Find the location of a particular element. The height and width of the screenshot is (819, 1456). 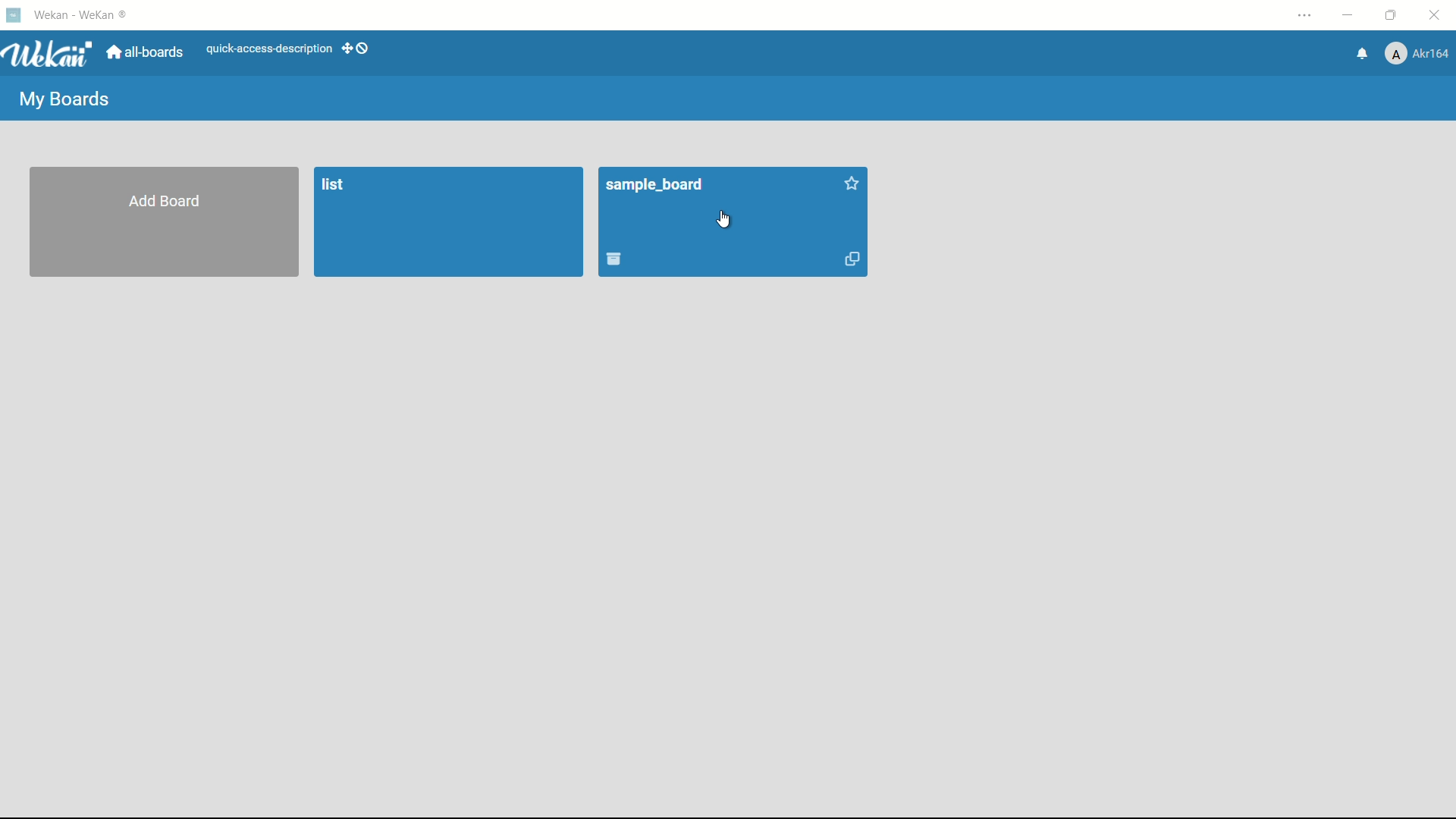

board name is located at coordinates (659, 183).